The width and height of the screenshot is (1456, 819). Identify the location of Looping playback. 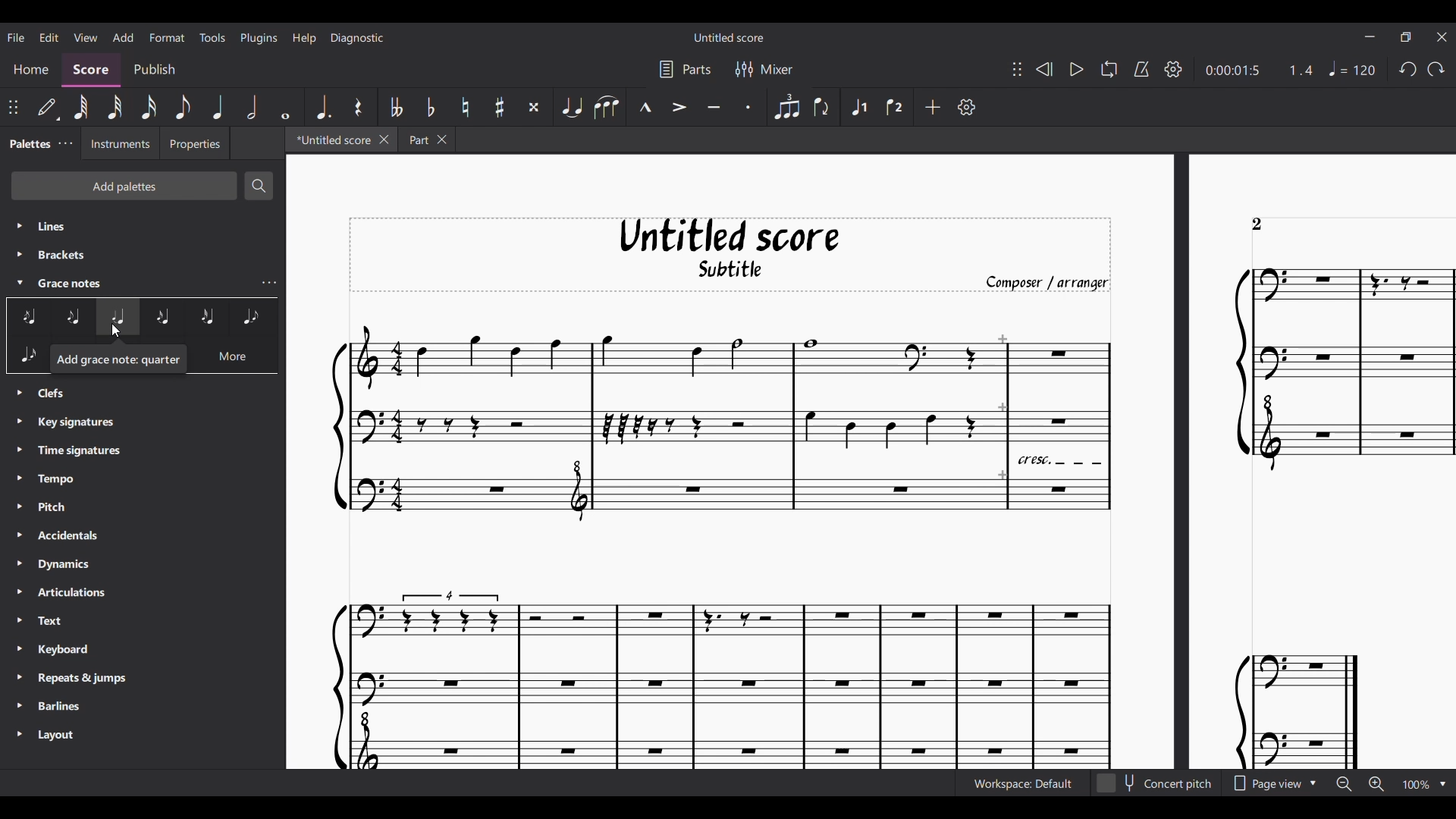
(1109, 69).